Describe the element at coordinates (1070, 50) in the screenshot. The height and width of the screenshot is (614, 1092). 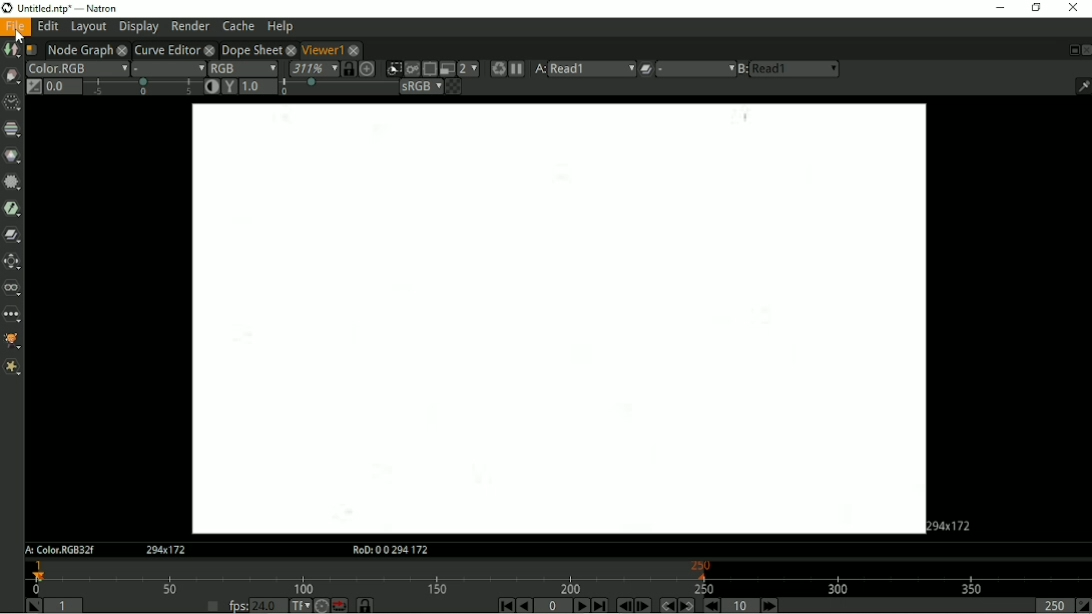
I see `Float pane` at that location.